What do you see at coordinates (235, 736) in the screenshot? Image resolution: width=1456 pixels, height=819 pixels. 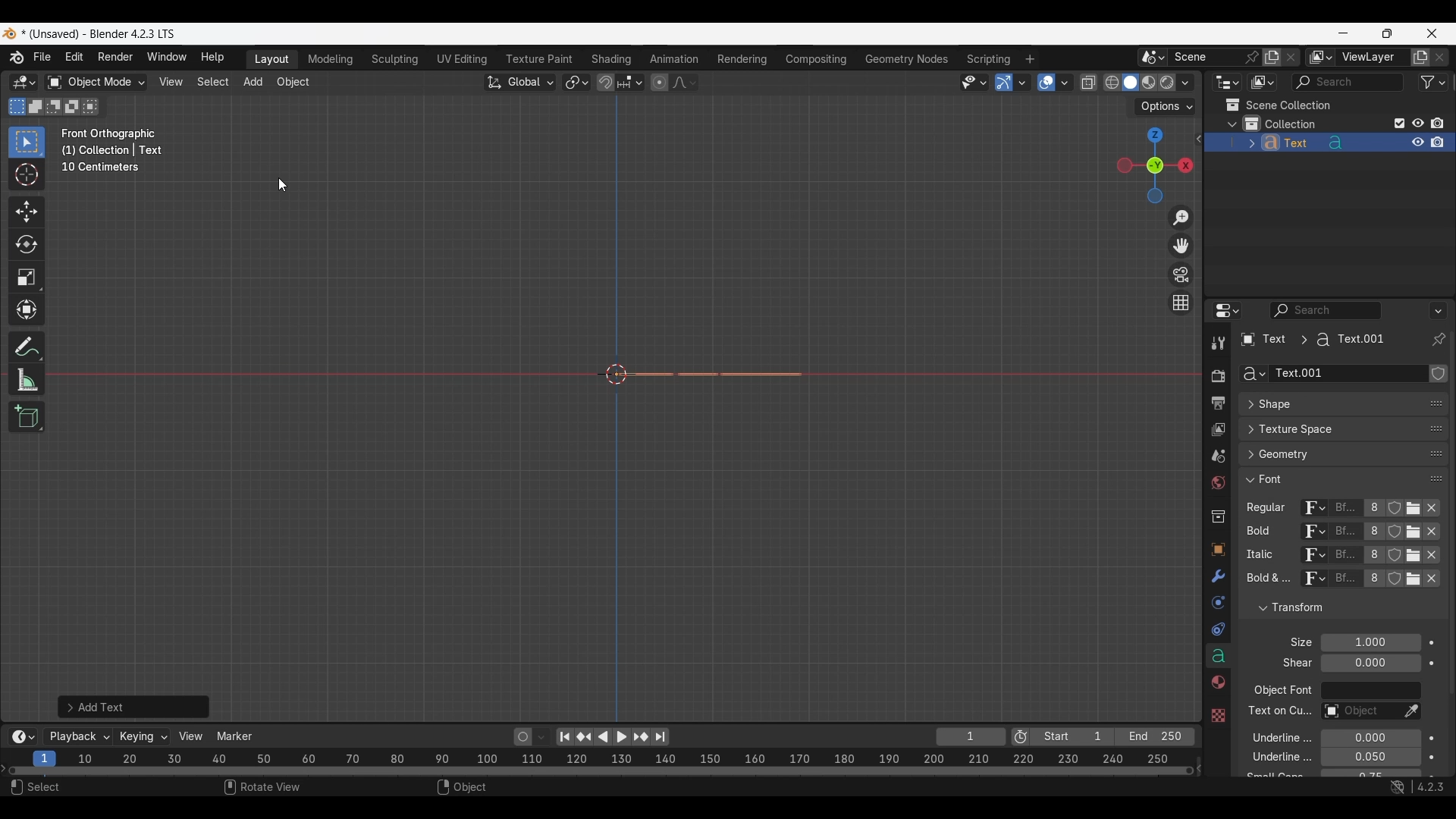 I see `Marker` at bounding box center [235, 736].